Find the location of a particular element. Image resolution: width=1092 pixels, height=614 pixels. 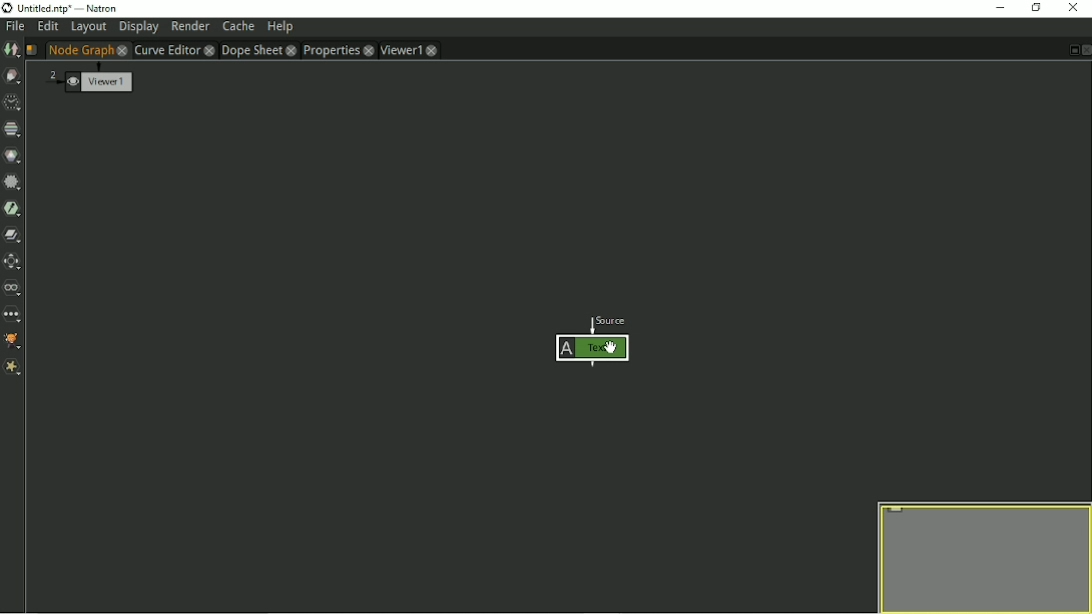

Image is located at coordinates (11, 50).